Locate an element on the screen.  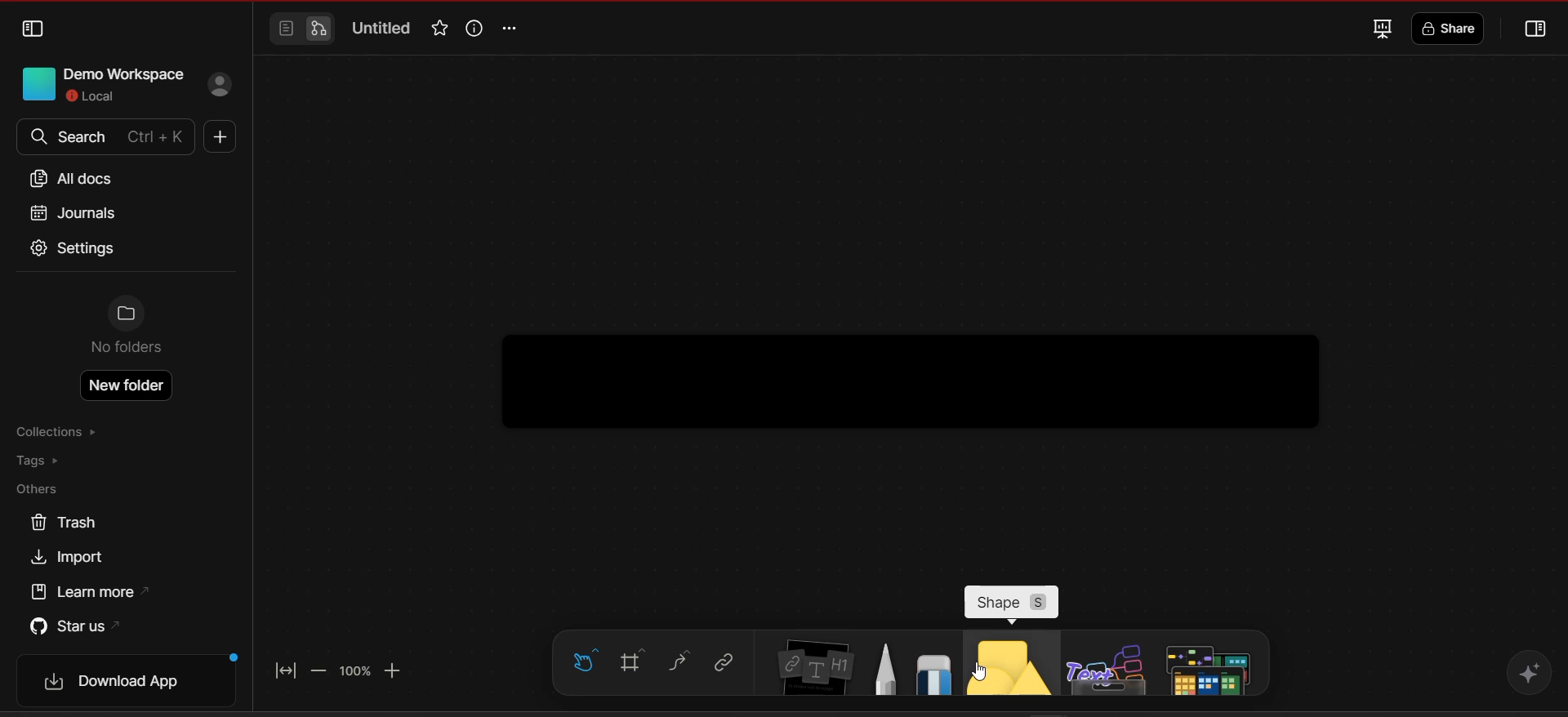
title of the document is located at coordinates (382, 29).